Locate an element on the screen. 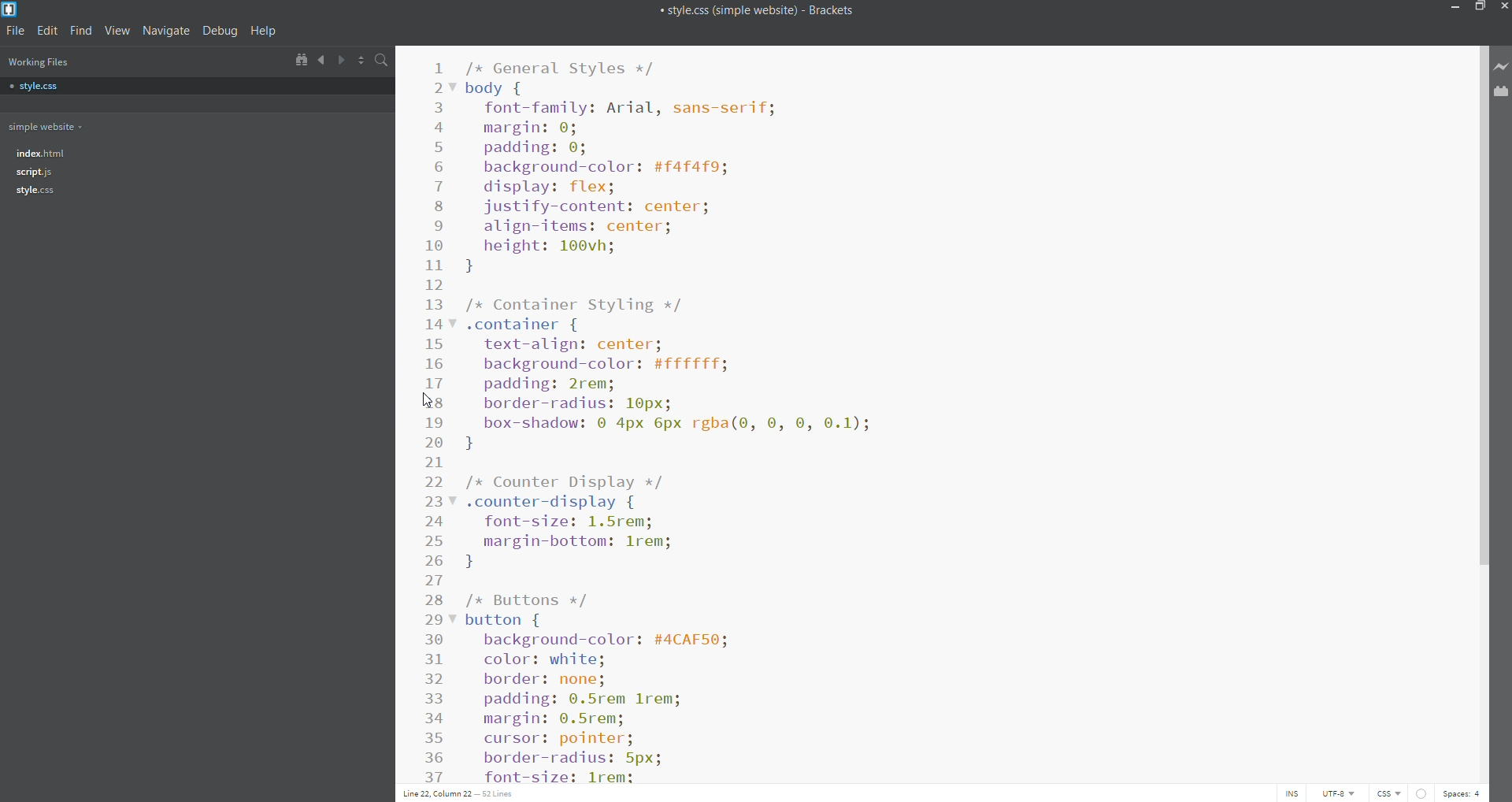  line number is located at coordinates (432, 421).